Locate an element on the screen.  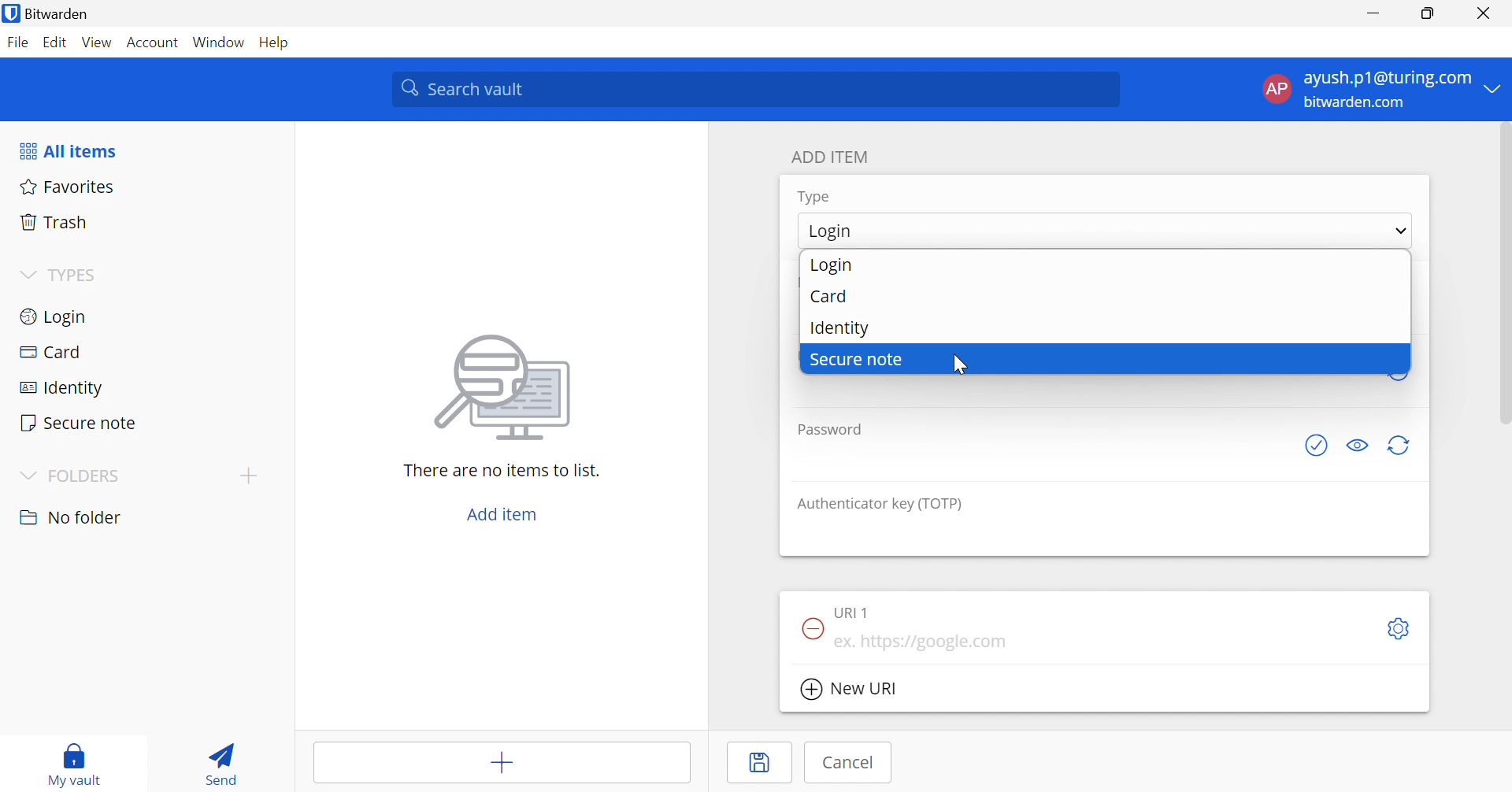
ex. https://google.com is located at coordinates (1098, 636).